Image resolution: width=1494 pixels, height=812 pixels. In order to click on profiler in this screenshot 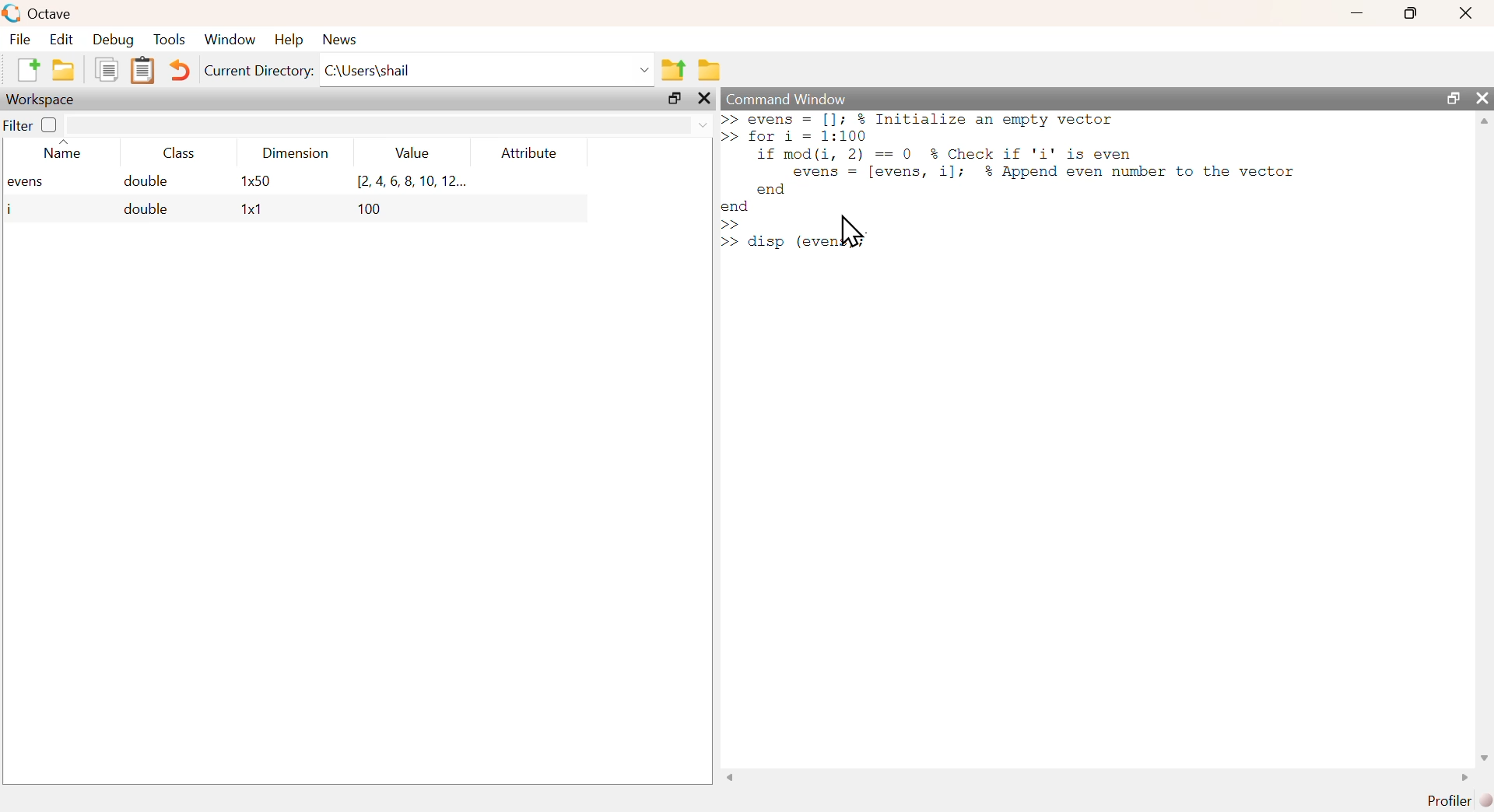, I will do `click(1450, 800)`.